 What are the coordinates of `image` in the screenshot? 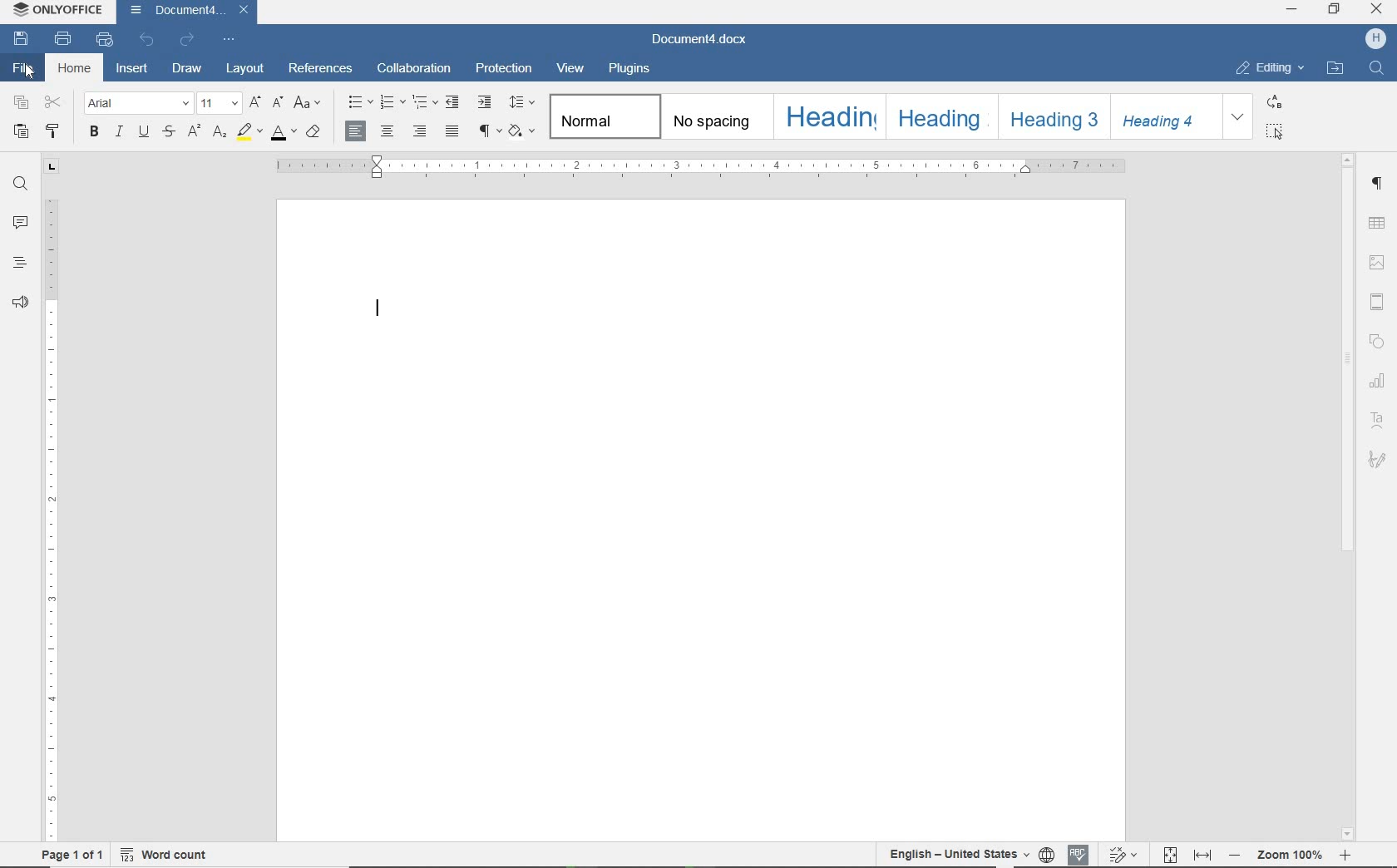 It's located at (1377, 263).